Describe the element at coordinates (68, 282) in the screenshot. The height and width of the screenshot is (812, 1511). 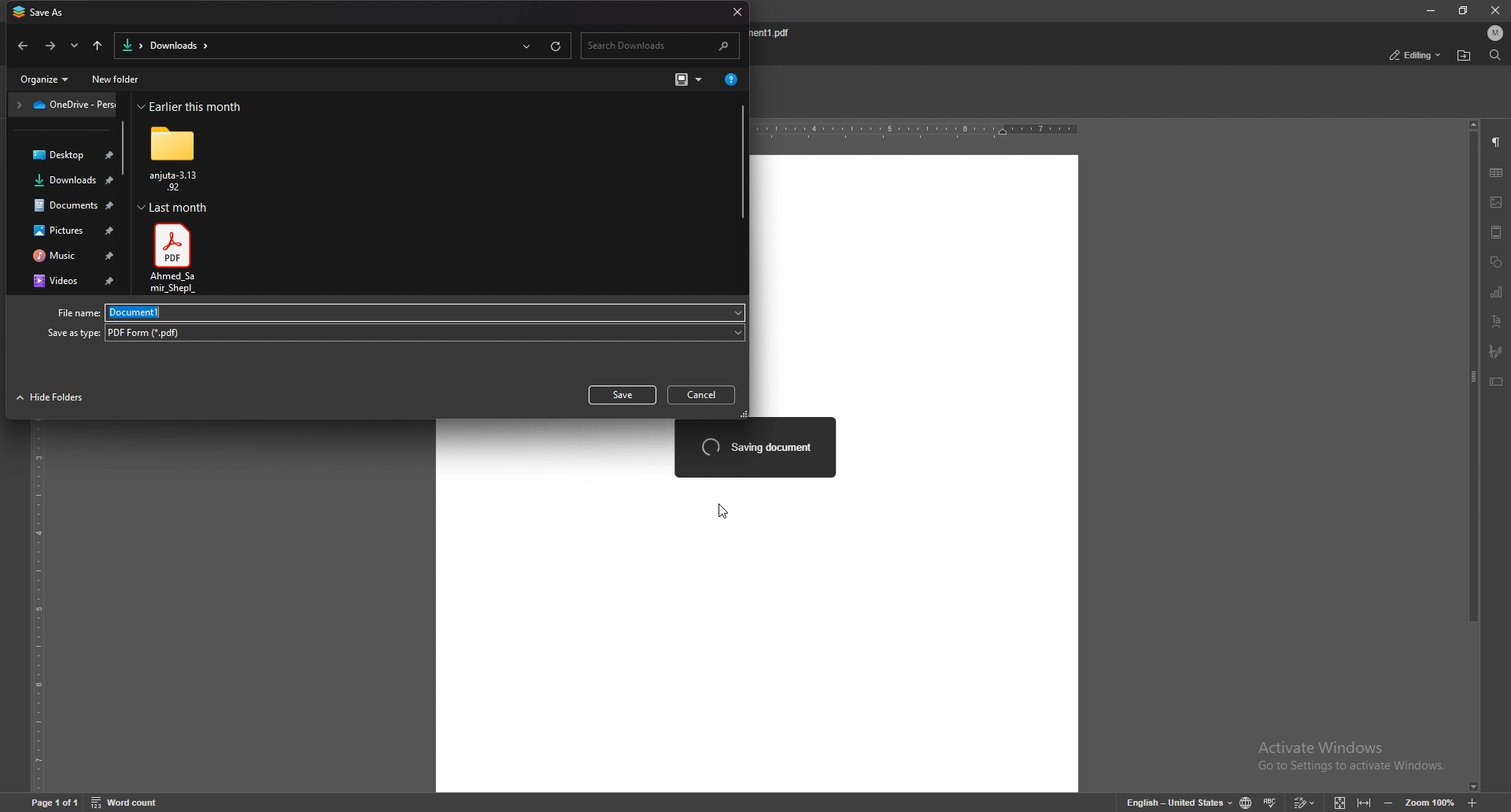
I see `videos` at that location.